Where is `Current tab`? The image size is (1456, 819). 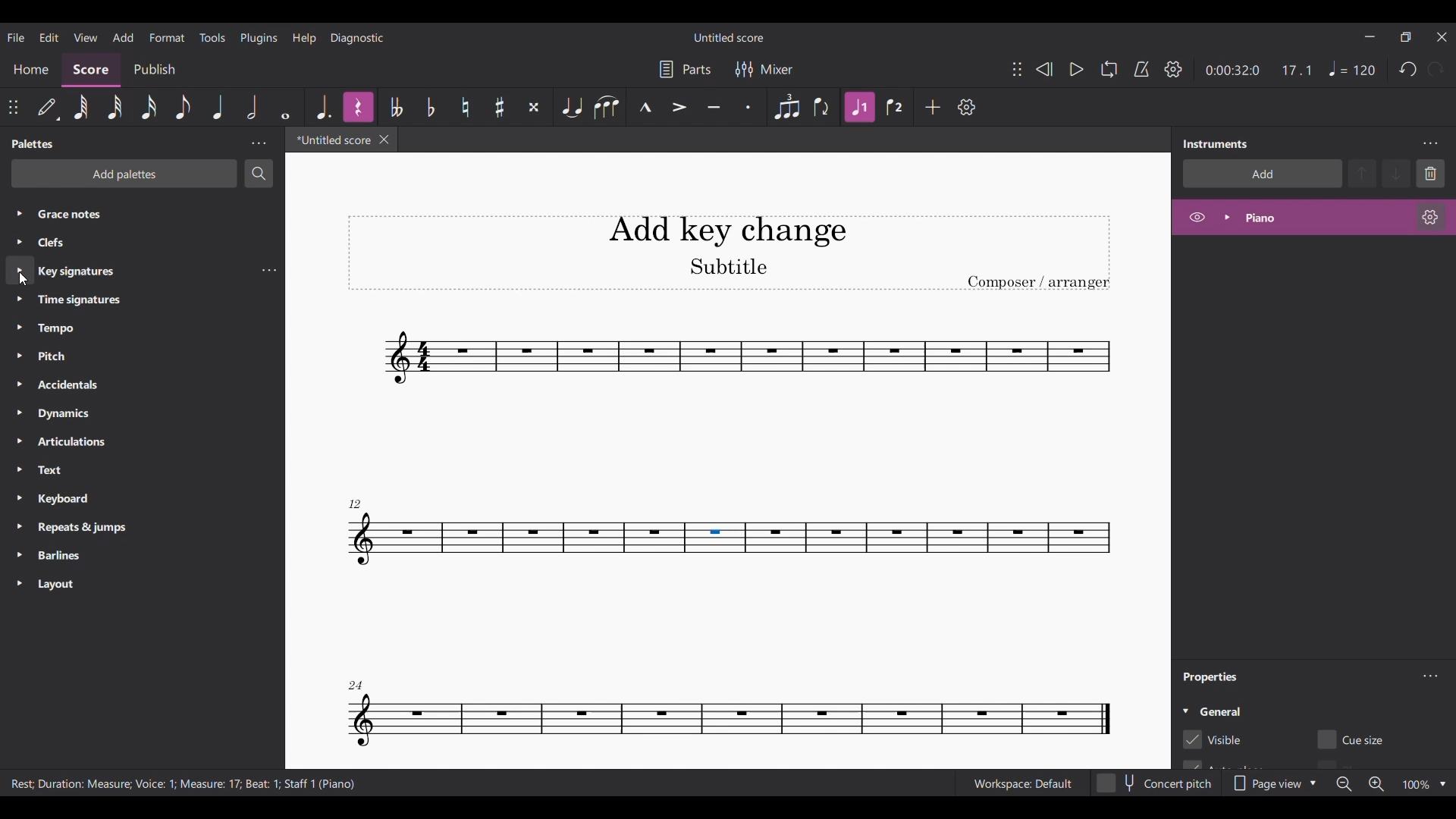
Current tab is located at coordinates (332, 140).